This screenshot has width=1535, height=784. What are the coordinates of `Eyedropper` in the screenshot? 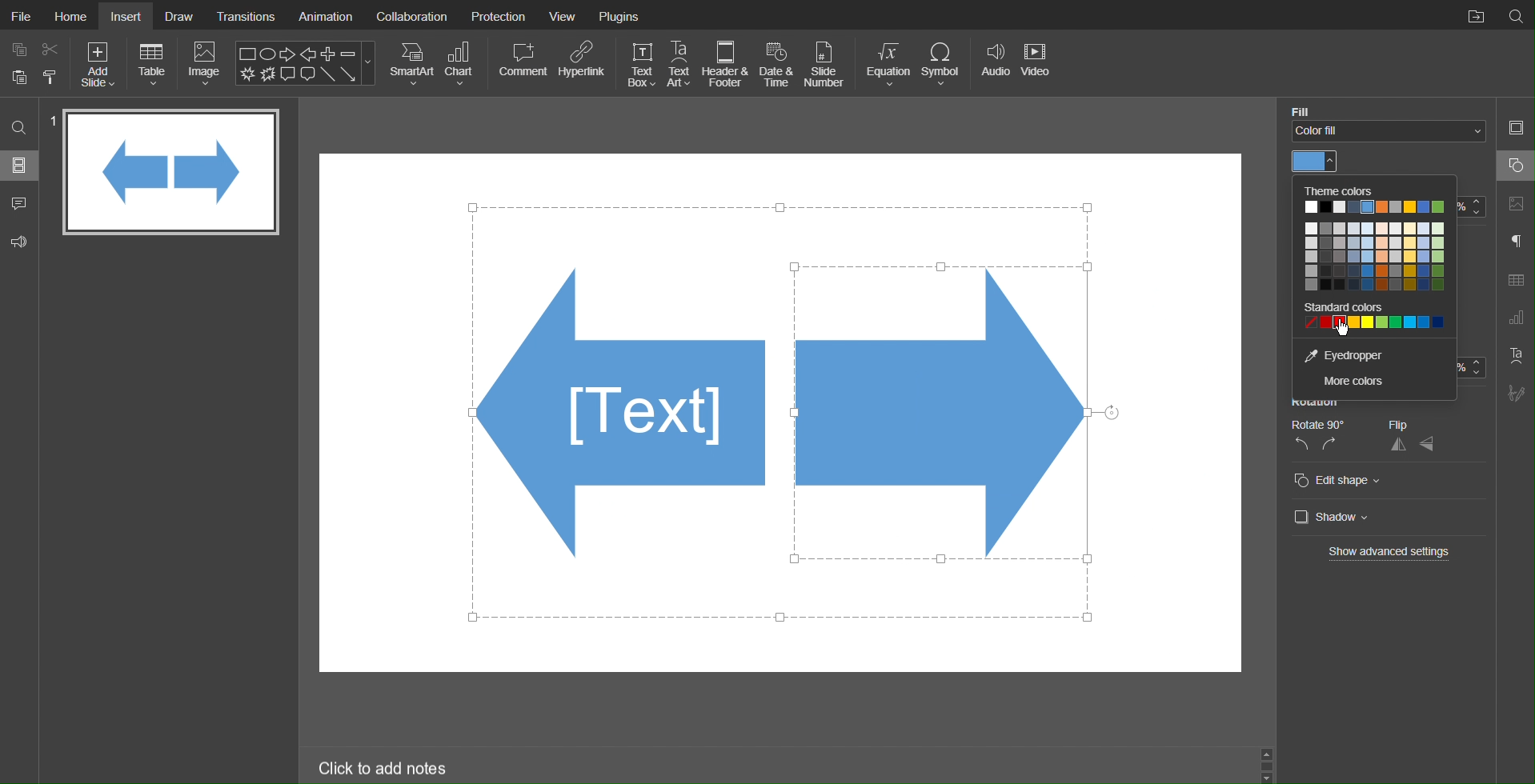 It's located at (1370, 355).